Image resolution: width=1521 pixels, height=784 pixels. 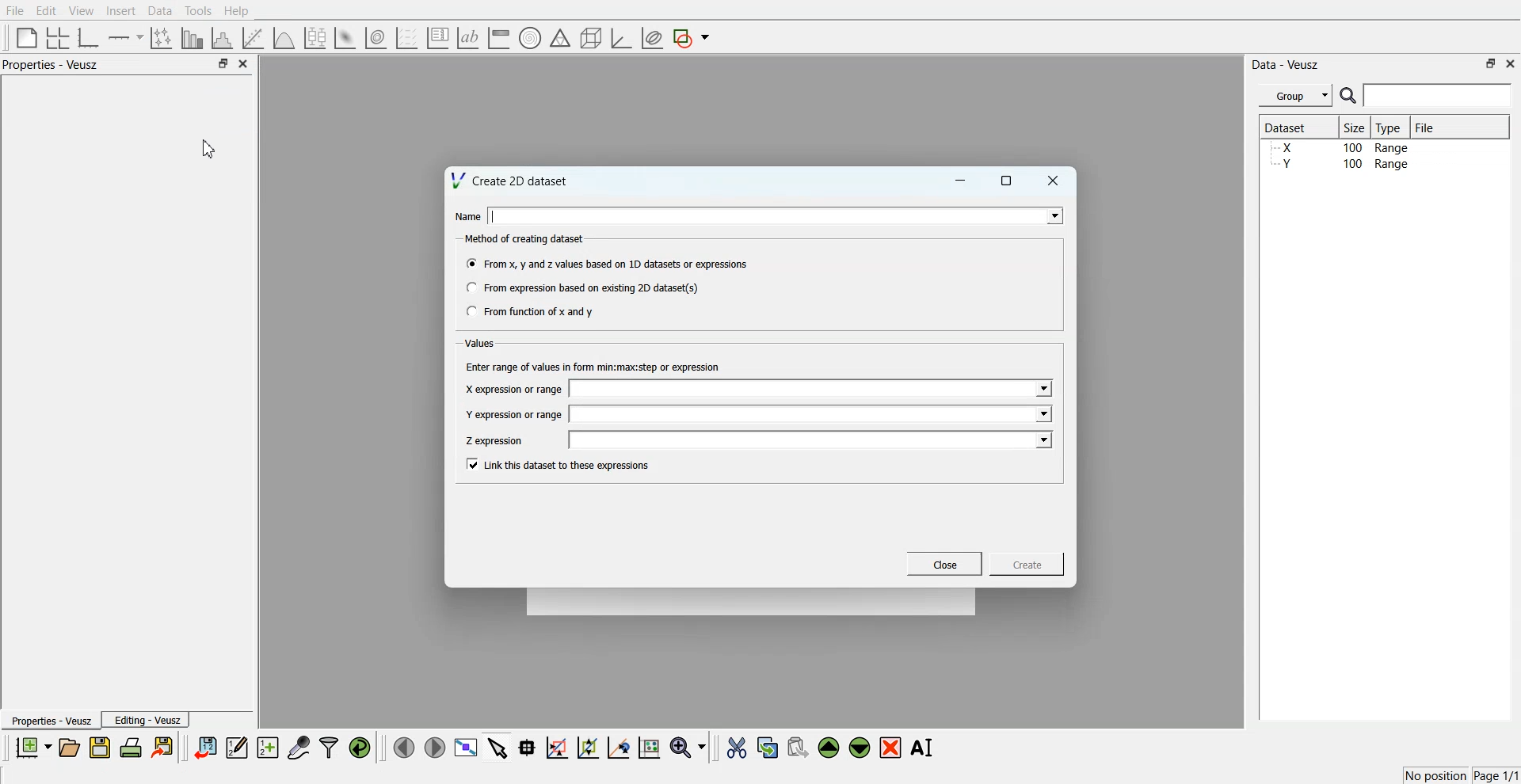 I want to click on Drop down, so click(x=1043, y=440).